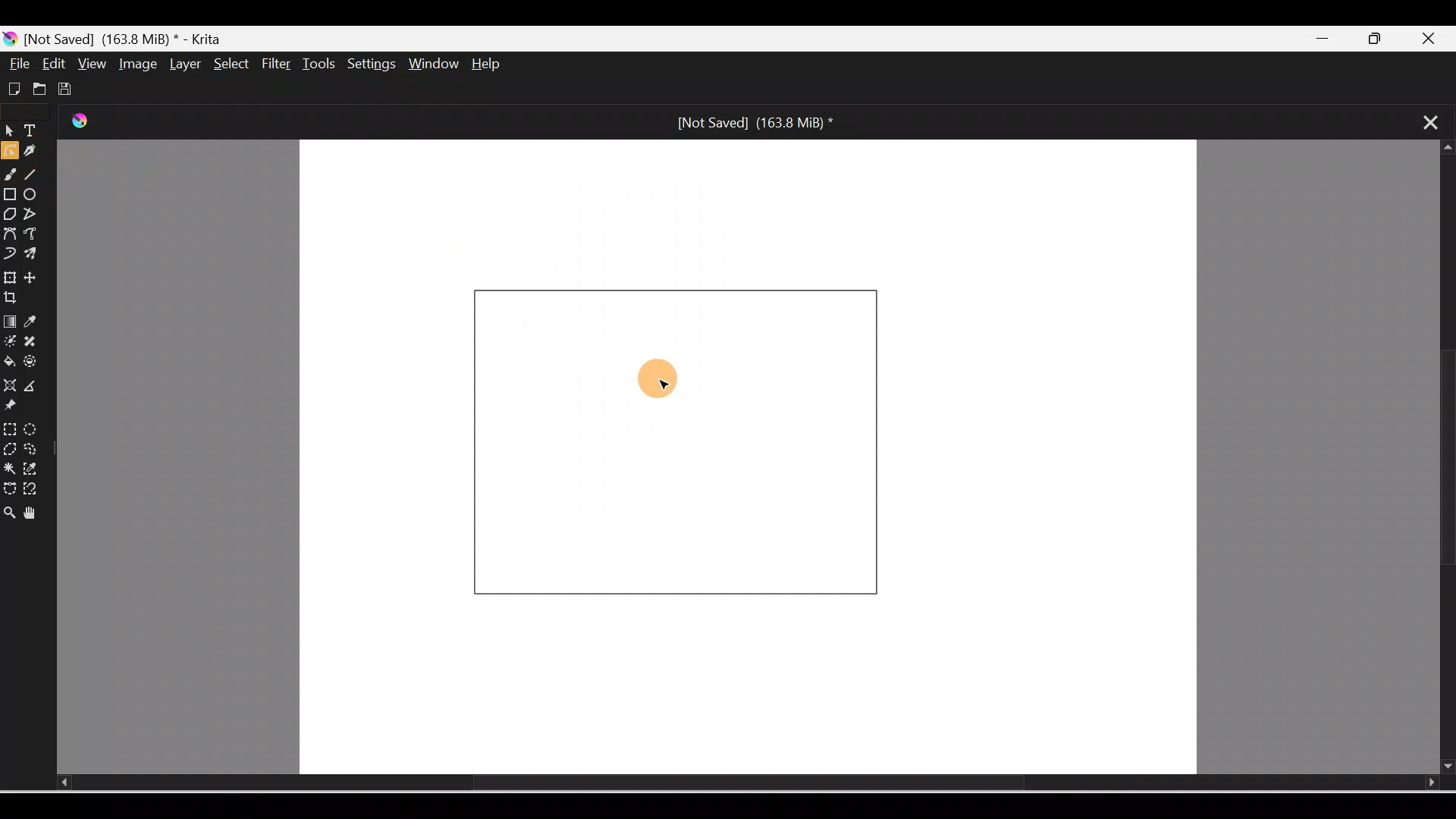  Describe the element at coordinates (9, 153) in the screenshot. I see `Edit shapes tool` at that location.